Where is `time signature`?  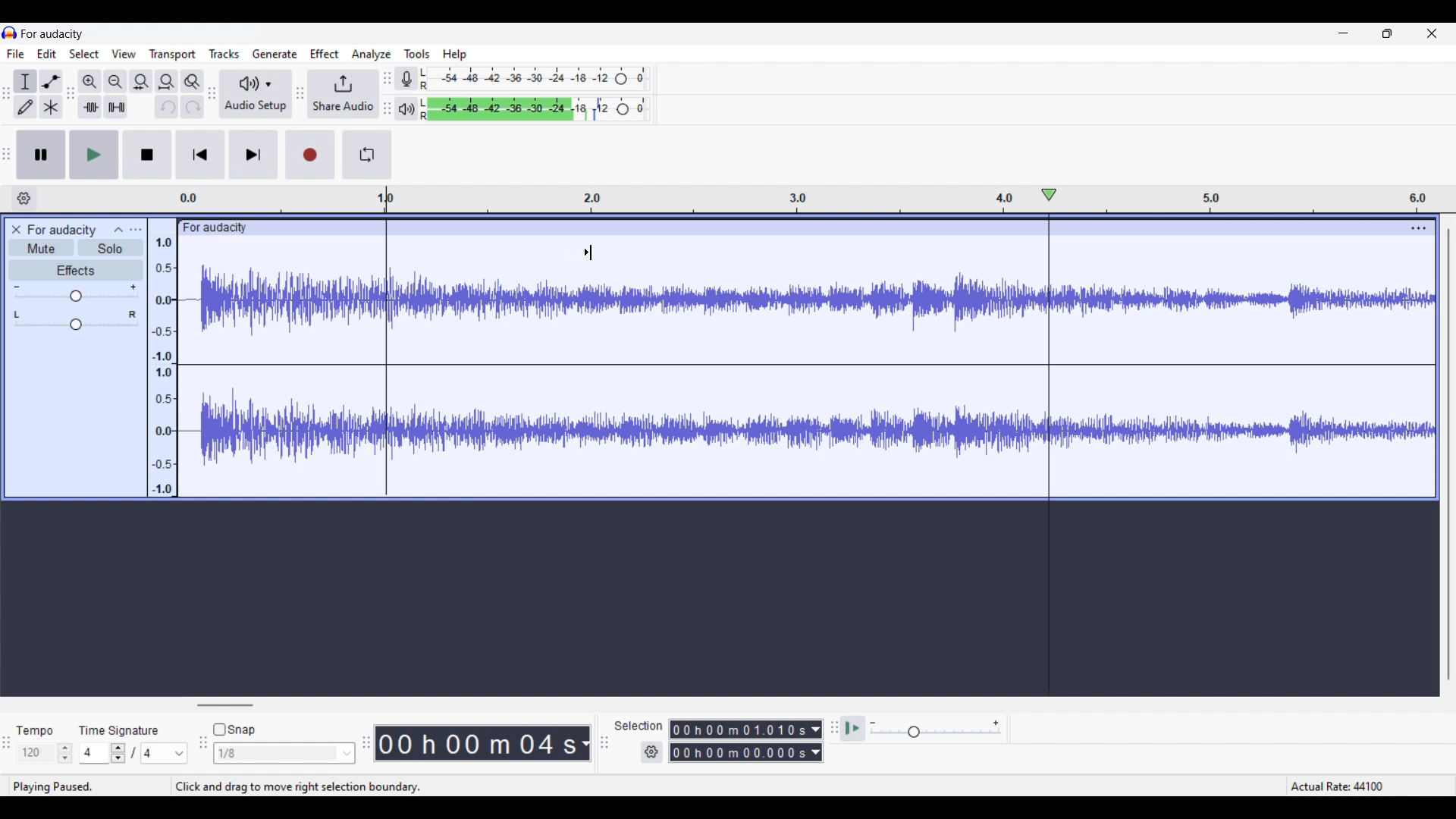 time signature is located at coordinates (119, 730).